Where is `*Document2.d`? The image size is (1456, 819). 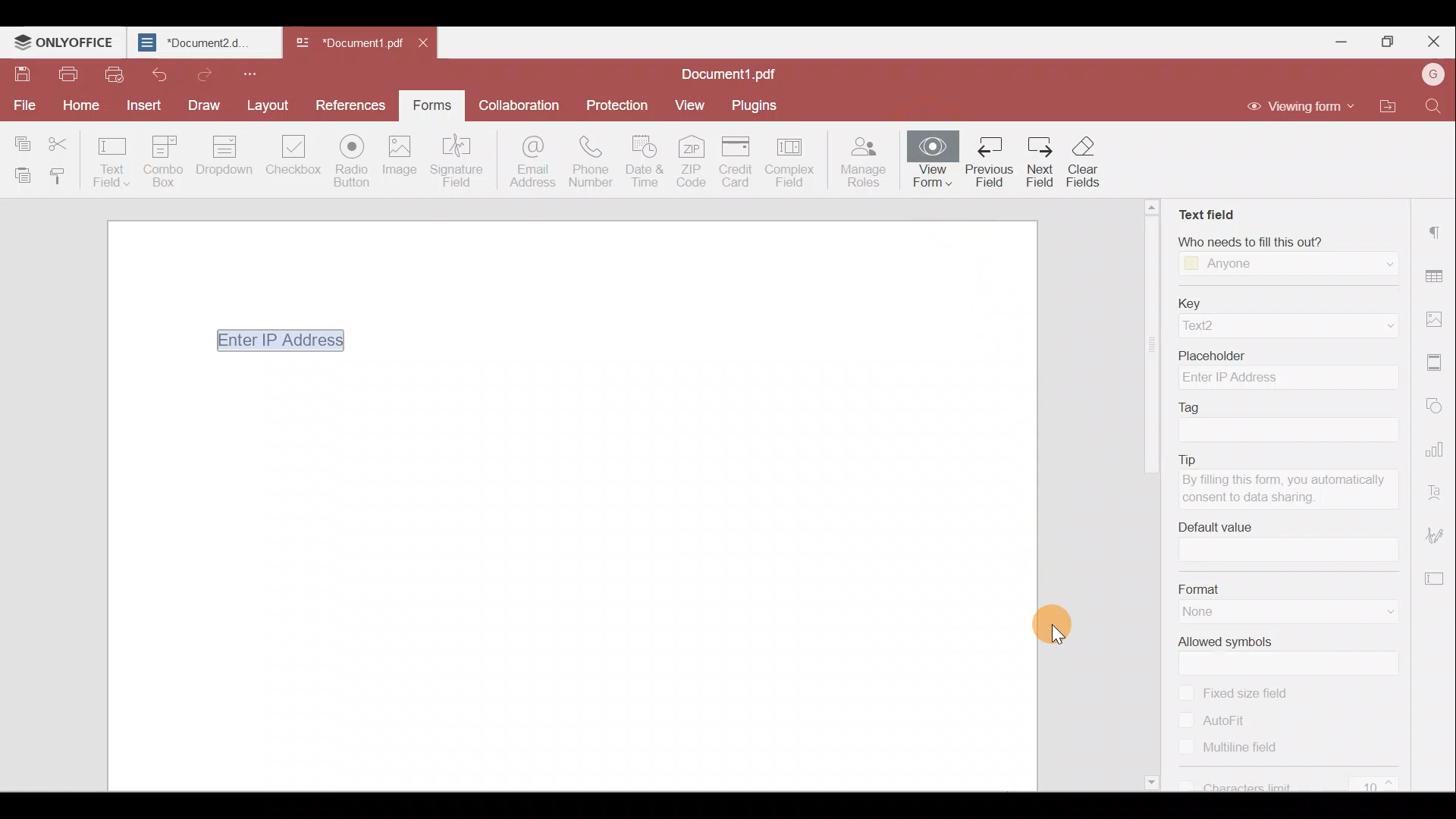
*Document2.d is located at coordinates (202, 42).